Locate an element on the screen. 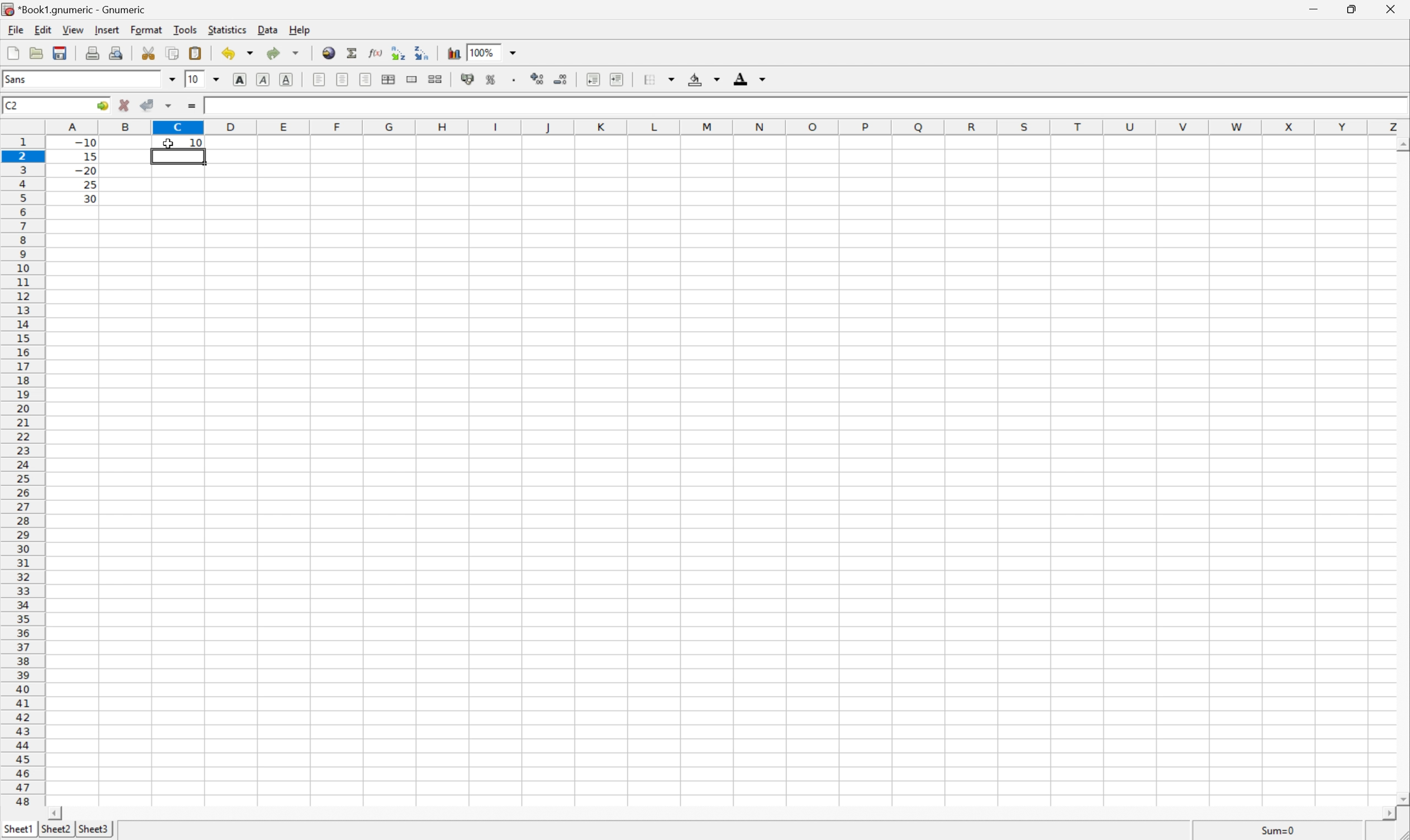  Dorp Down is located at coordinates (763, 80).